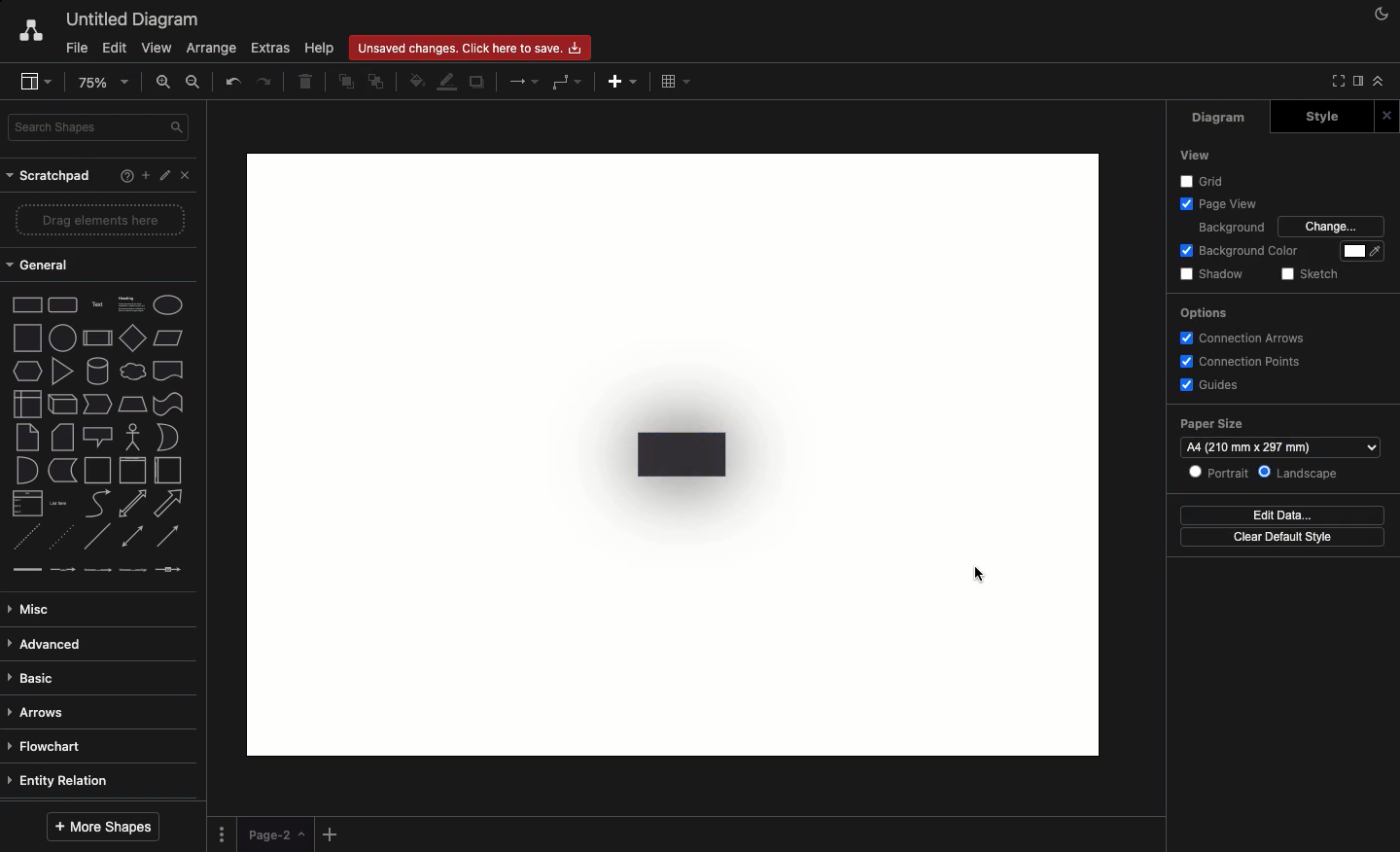  I want to click on link, so click(24, 569).